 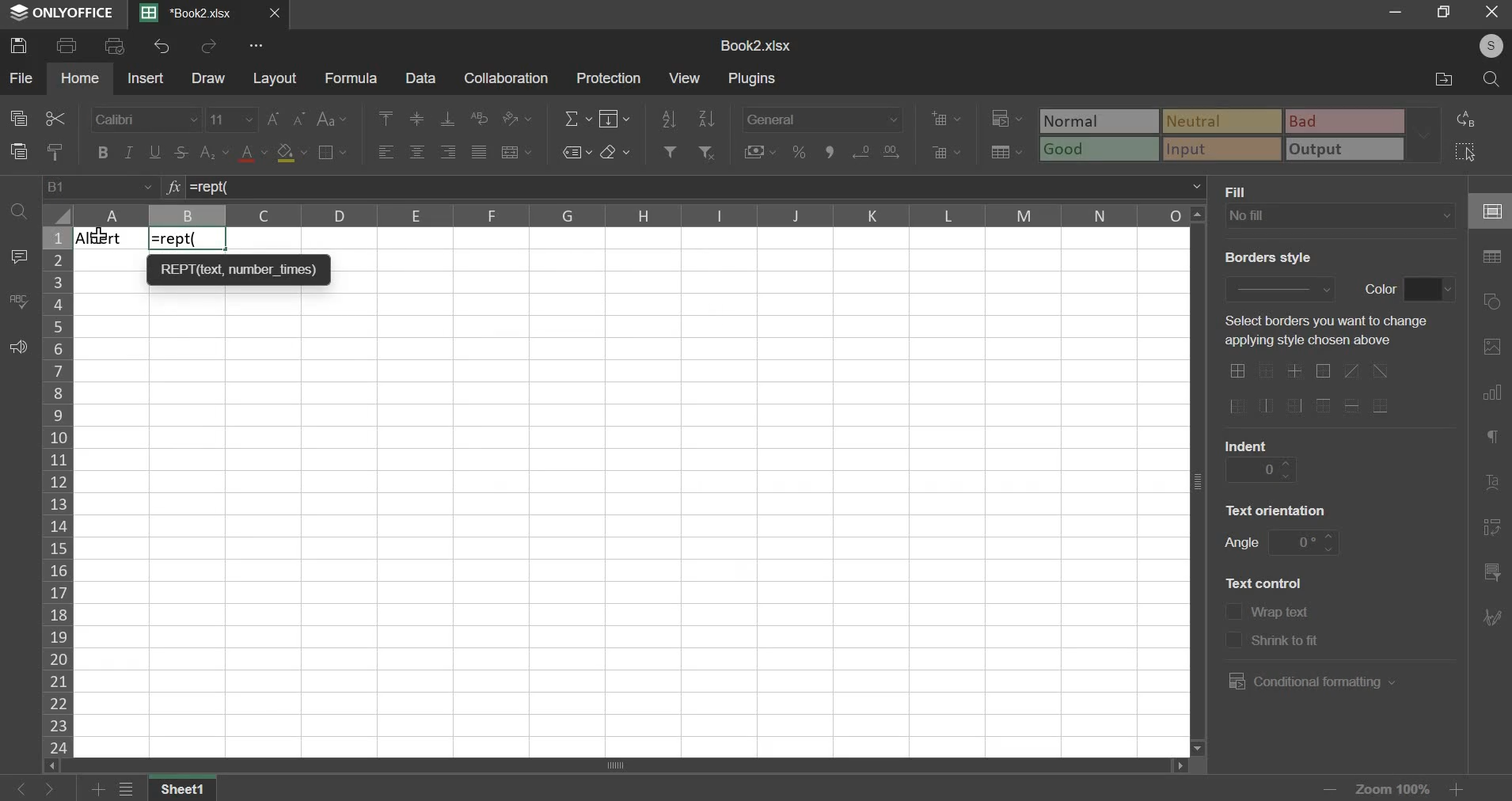 What do you see at coordinates (1444, 13) in the screenshot?
I see `maximise` at bounding box center [1444, 13].